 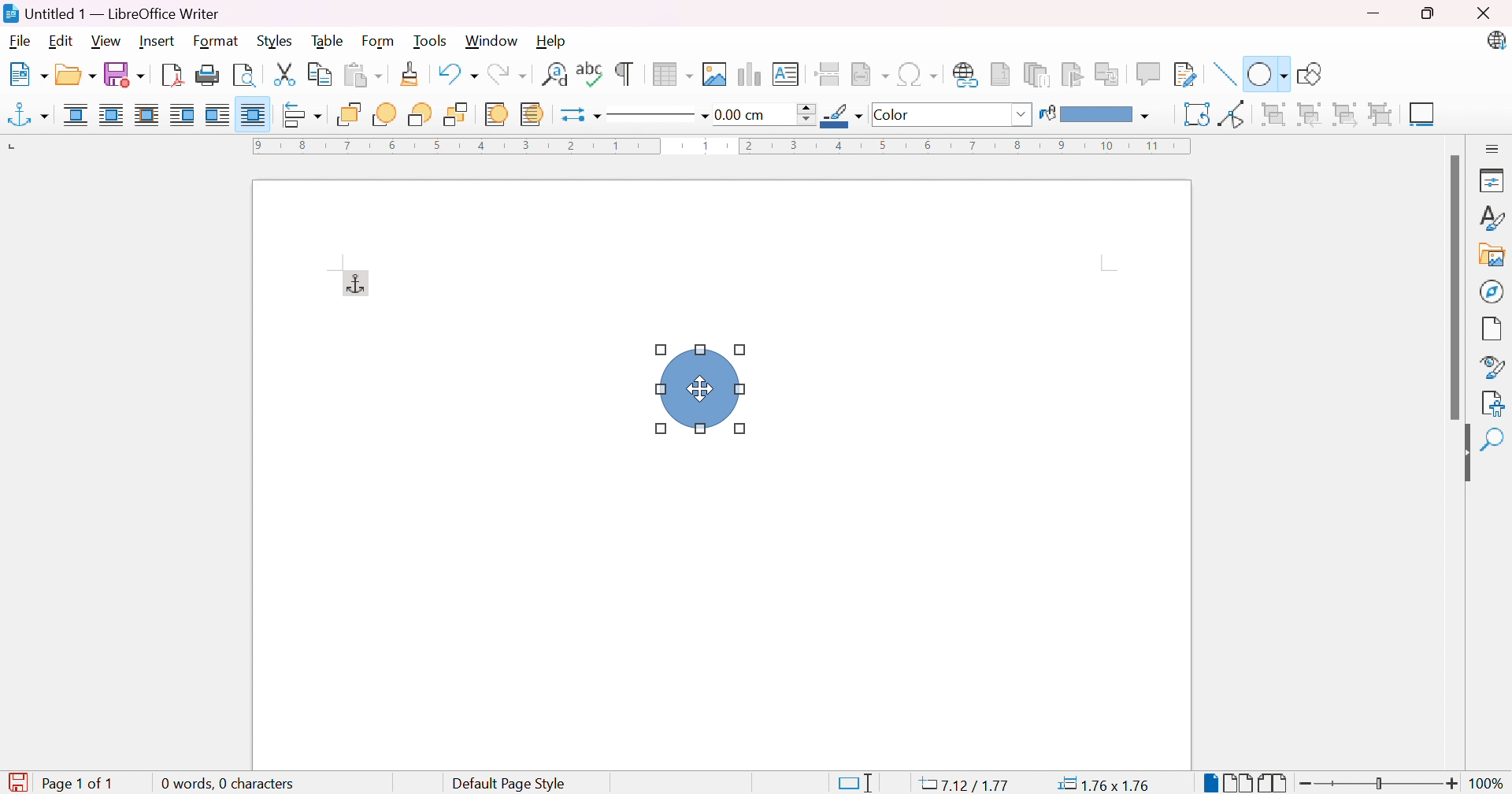 What do you see at coordinates (509, 785) in the screenshot?
I see `Default Page Style` at bounding box center [509, 785].